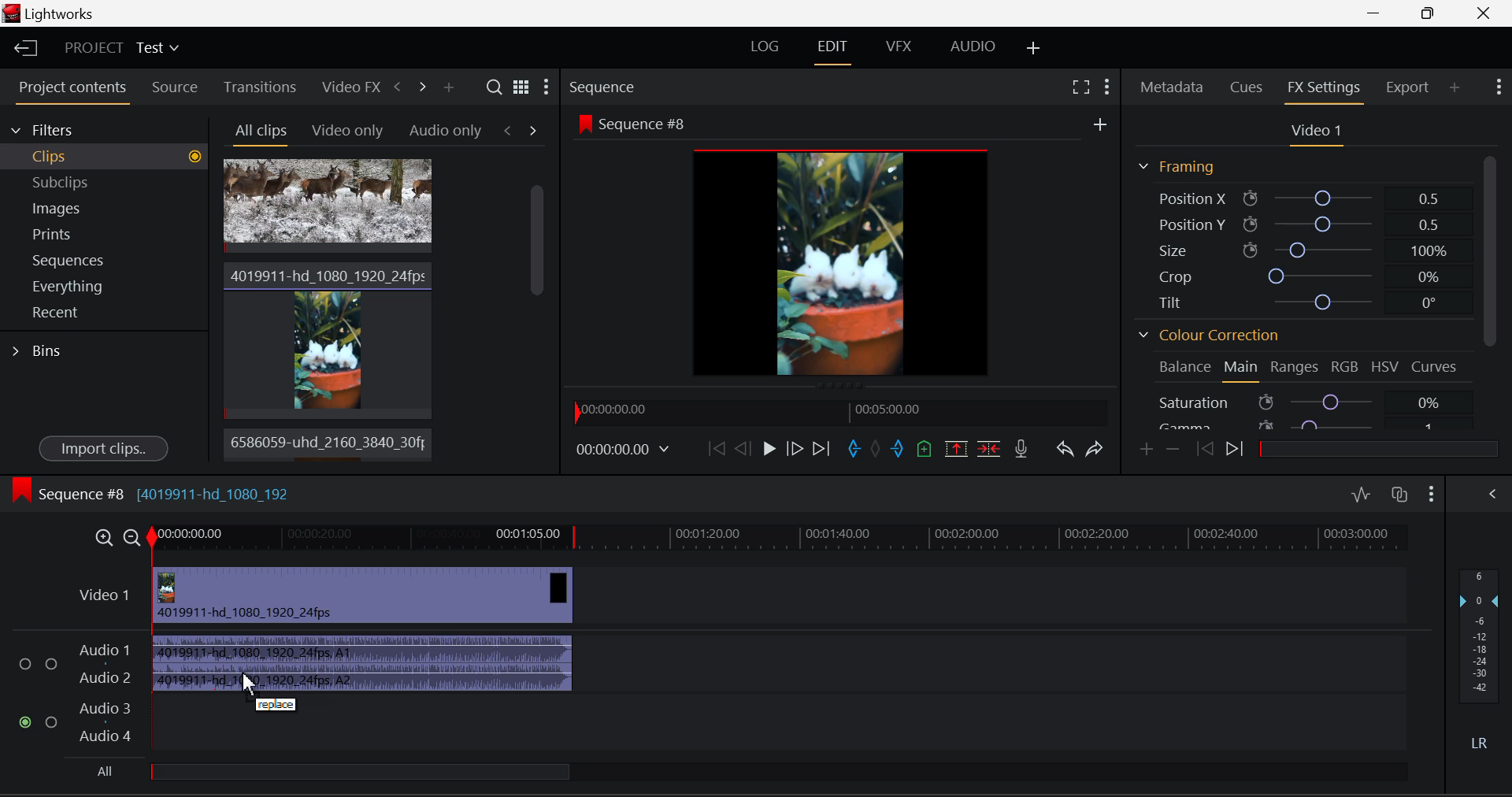 The height and width of the screenshot is (797, 1512). Describe the element at coordinates (1206, 335) in the screenshot. I see `Colour Correction Section` at that location.